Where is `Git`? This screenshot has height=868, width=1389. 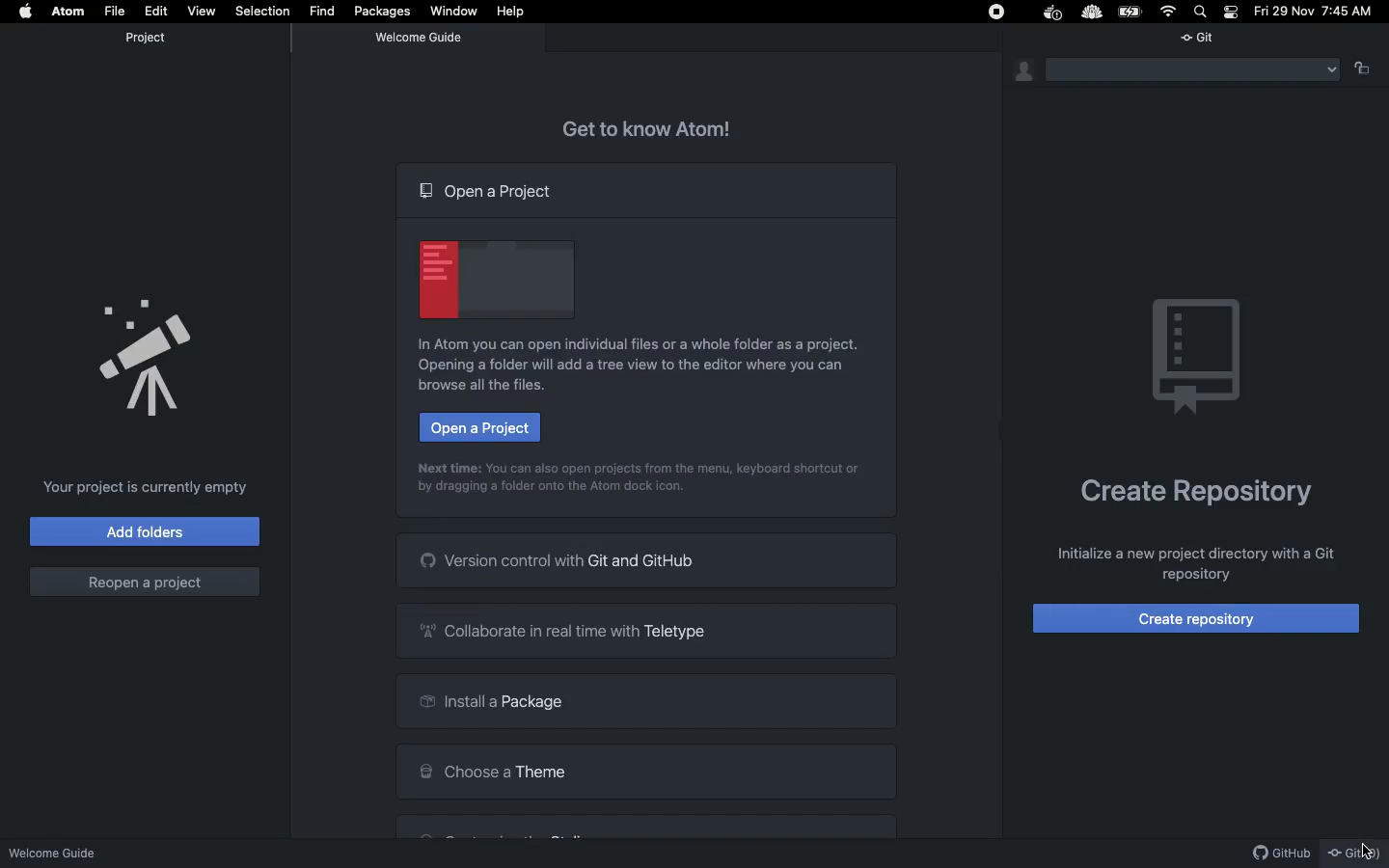
Git is located at coordinates (1209, 38).